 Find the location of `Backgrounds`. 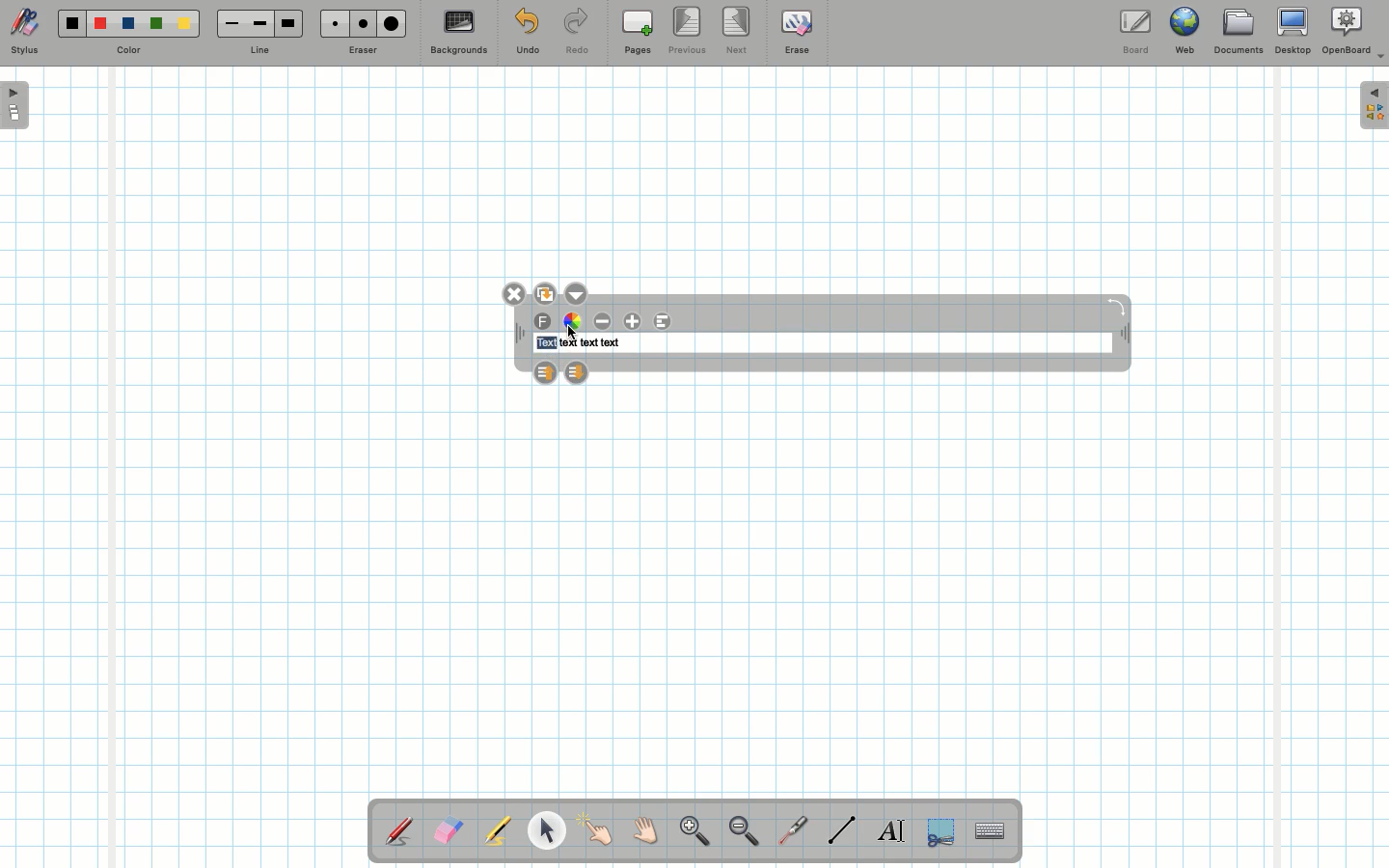

Backgrounds is located at coordinates (458, 33).